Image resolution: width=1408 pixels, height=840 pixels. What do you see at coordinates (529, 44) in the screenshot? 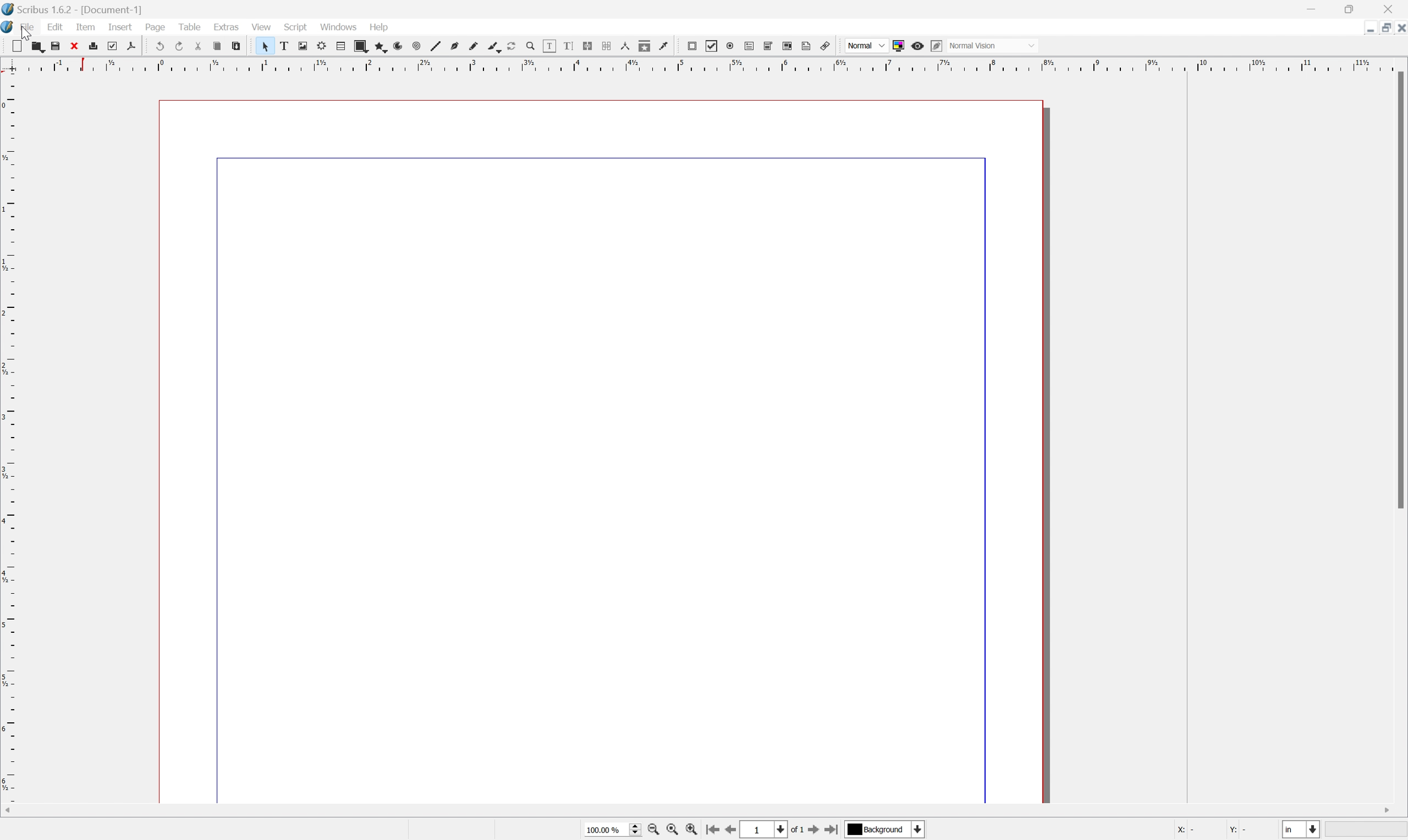
I see `Zoom in or out` at bounding box center [529, 44].